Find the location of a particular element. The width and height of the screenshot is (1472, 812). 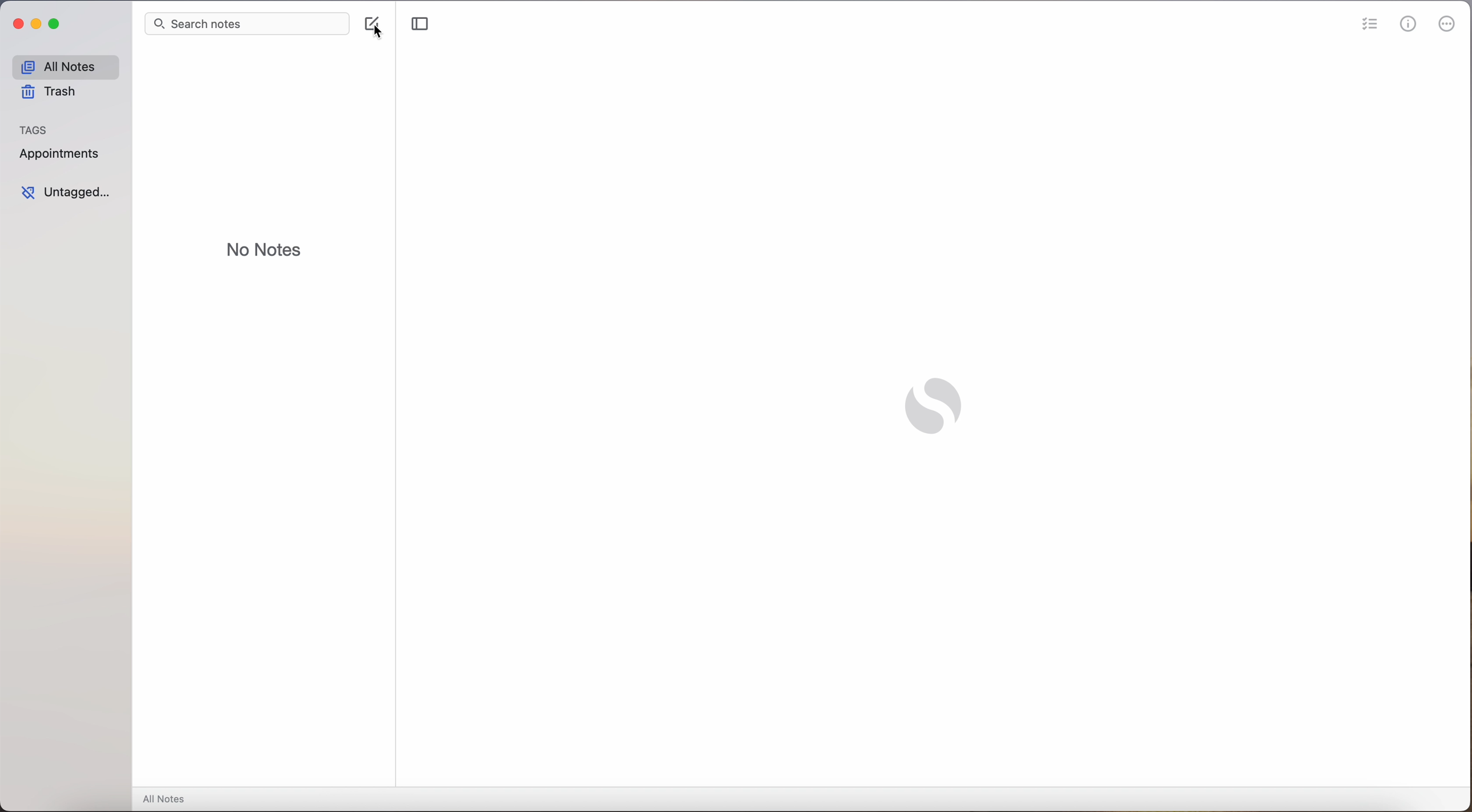

no notes is located at coordinates (264, 248).